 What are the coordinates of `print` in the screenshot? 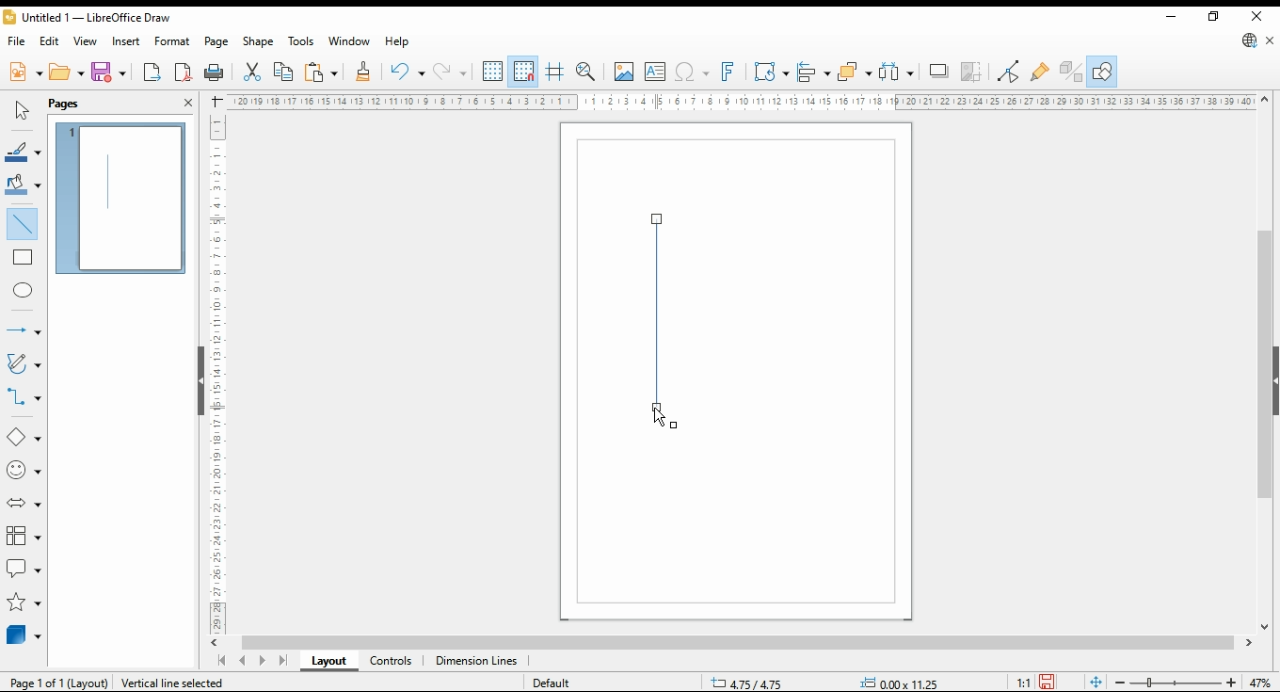 It's located at (214, 73).